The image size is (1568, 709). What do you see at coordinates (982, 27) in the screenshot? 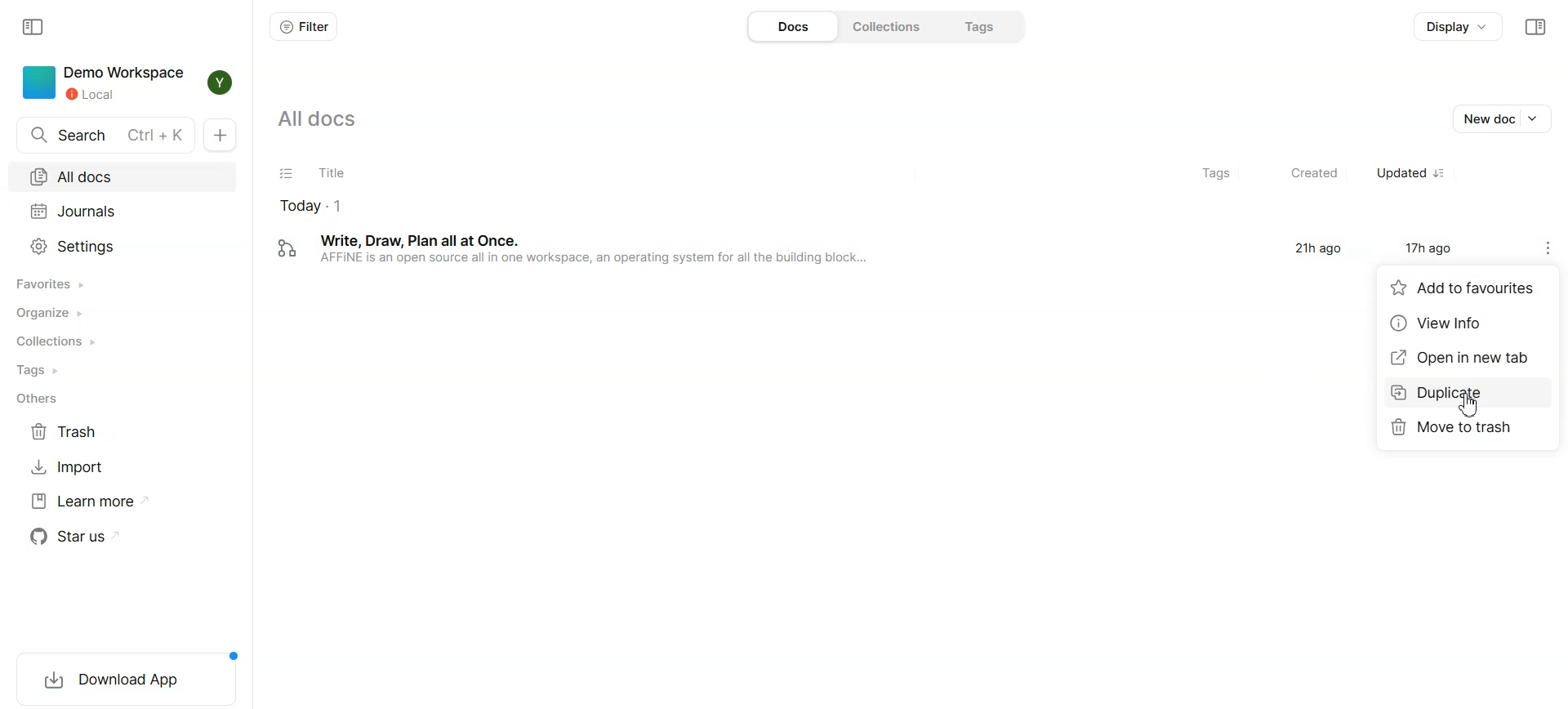
I see `Tags` at bounding box center [982, 27].